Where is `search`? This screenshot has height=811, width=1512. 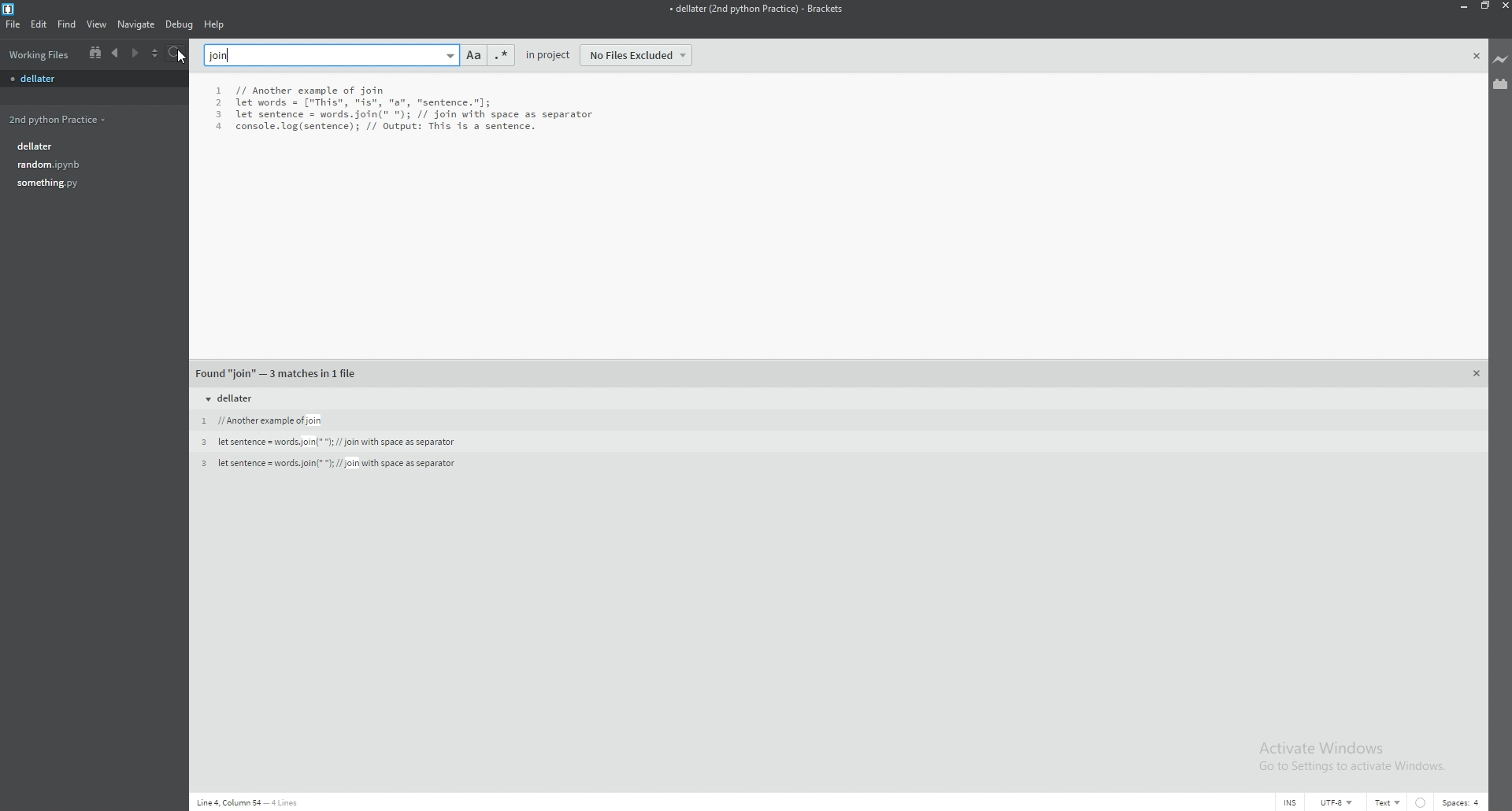 search is located at coordinates (182, 54).